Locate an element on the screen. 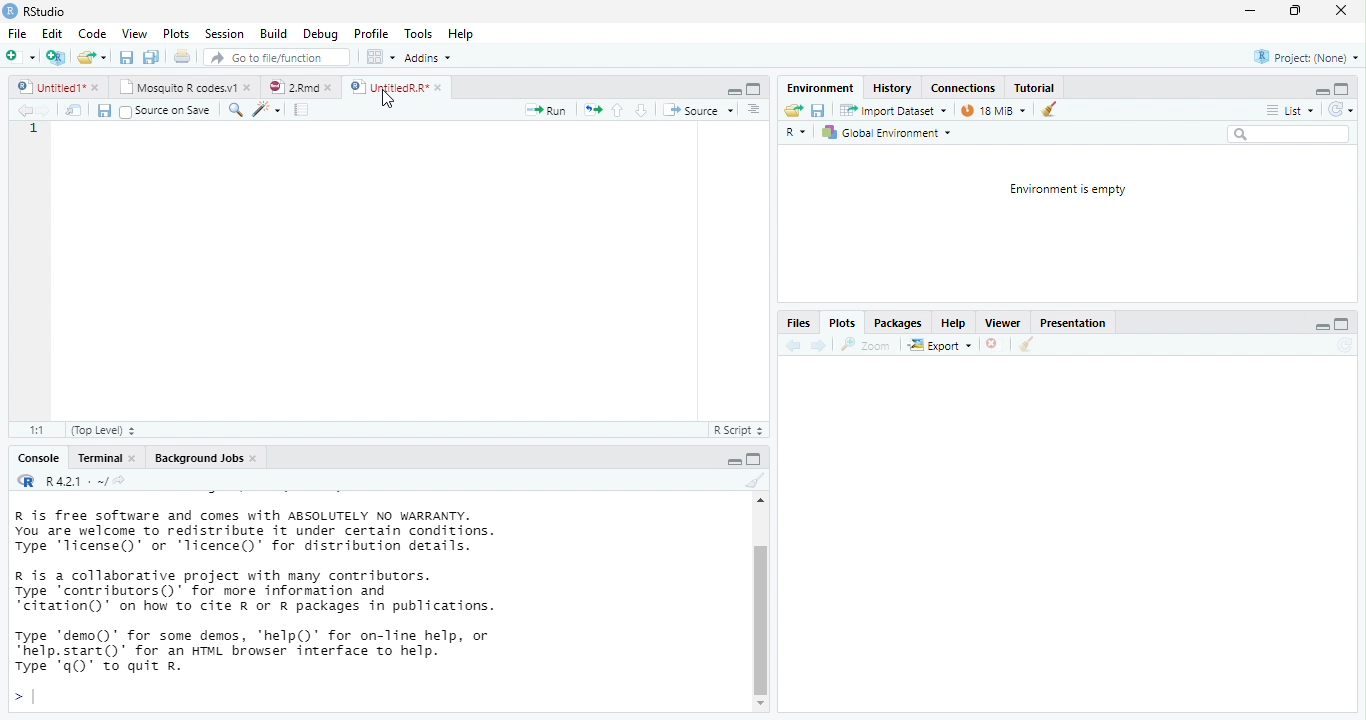 The height and width of the screenshot is (720, 1366). Tutorial is located at coordinates (1035, 87).